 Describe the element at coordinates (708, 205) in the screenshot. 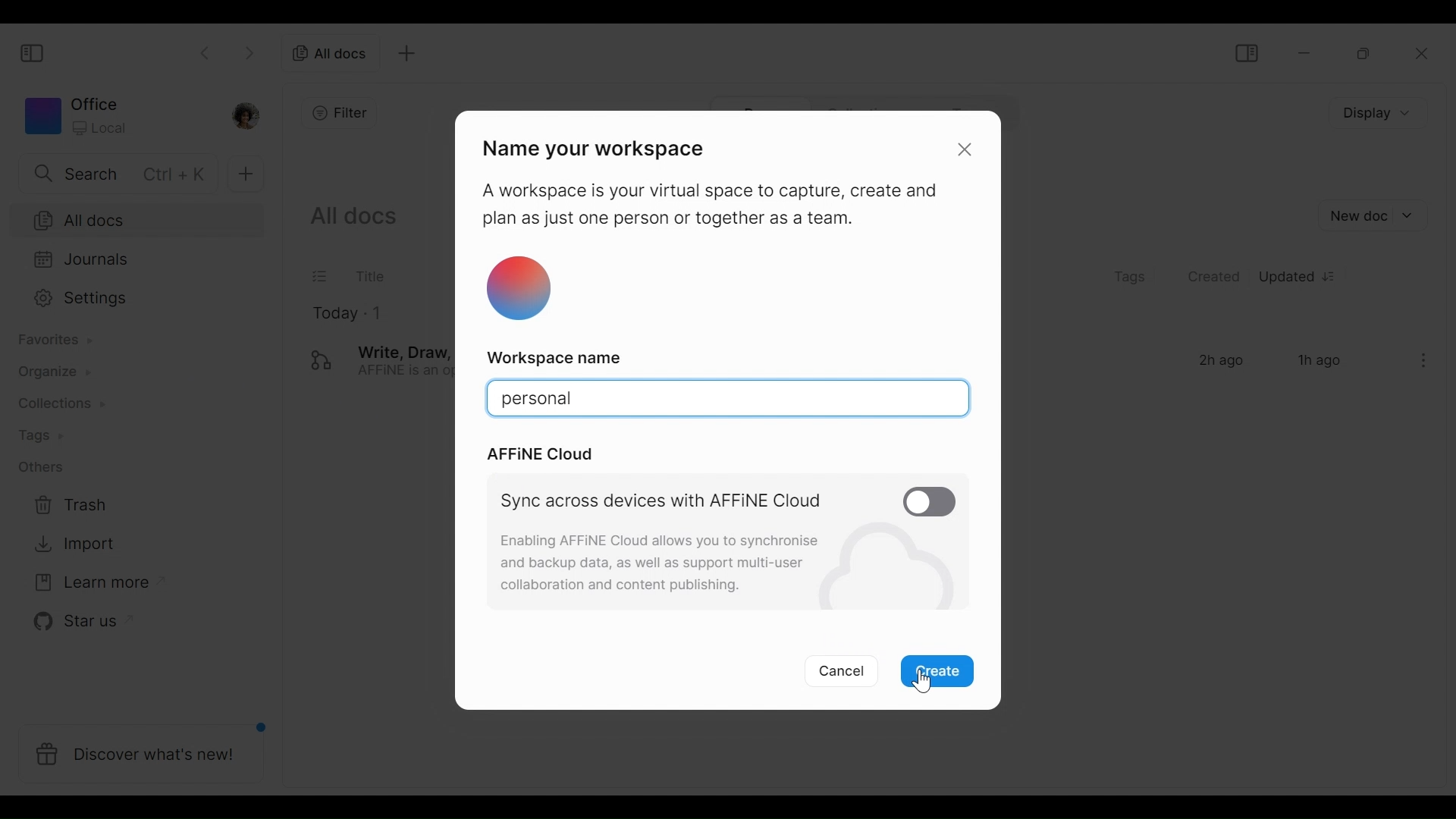

I see `A workspace is your virtual space to capture, create and
plan as just one person or together as a team.` at that location.